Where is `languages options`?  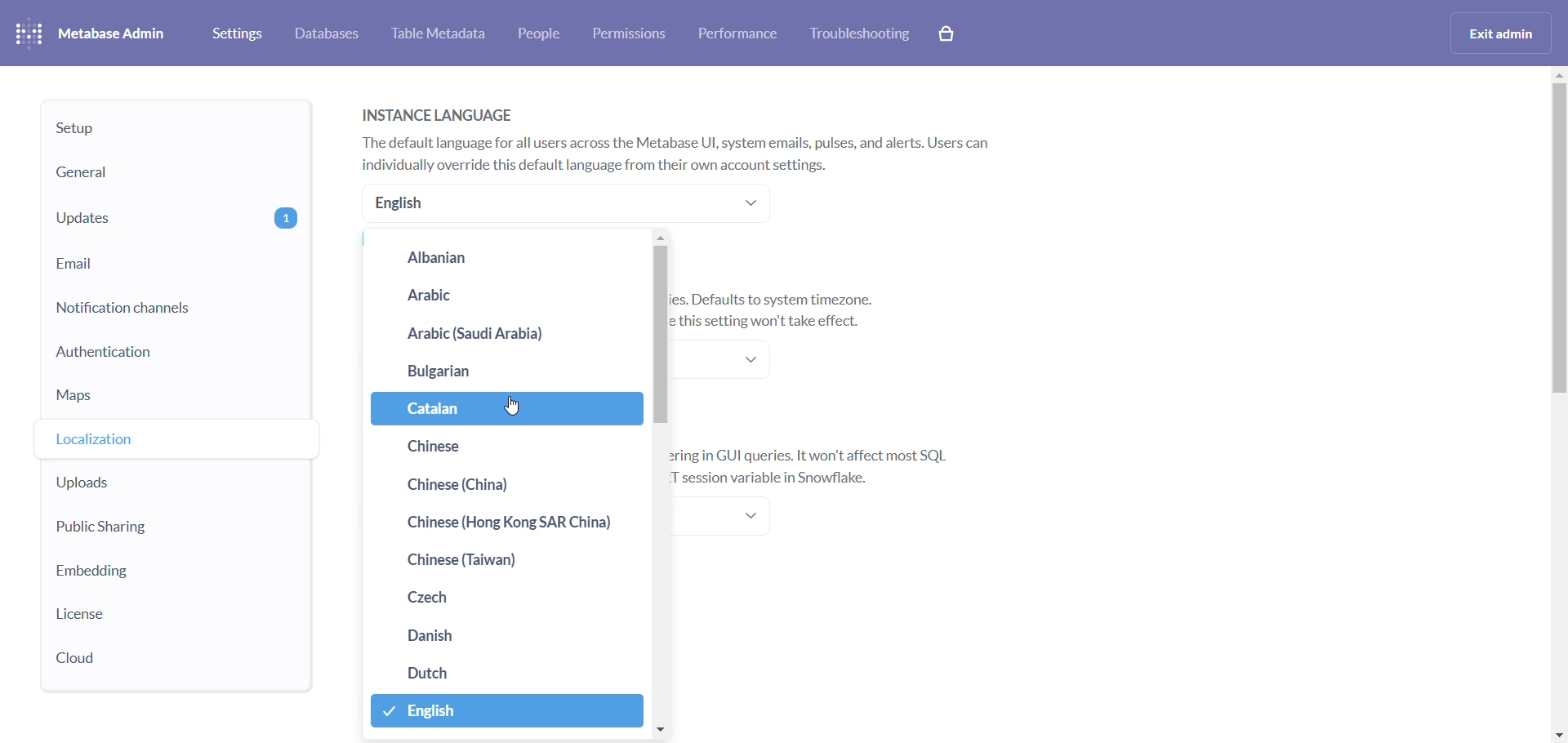
languages options is located at coordinates (506, 488).